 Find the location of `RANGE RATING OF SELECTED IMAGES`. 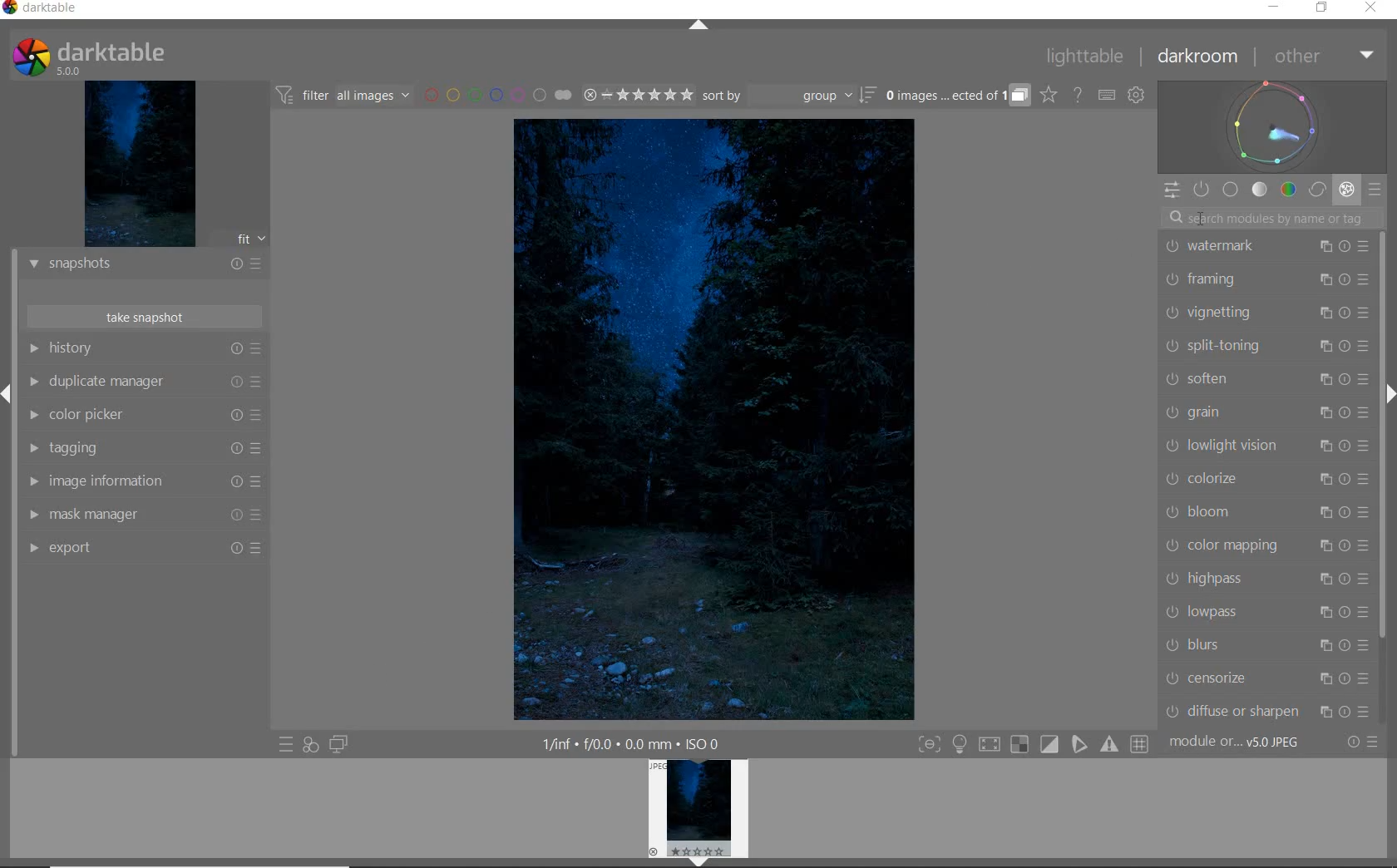

RANGE RATING OF SELECTED IMAGES is located at coordinates (638, 95).